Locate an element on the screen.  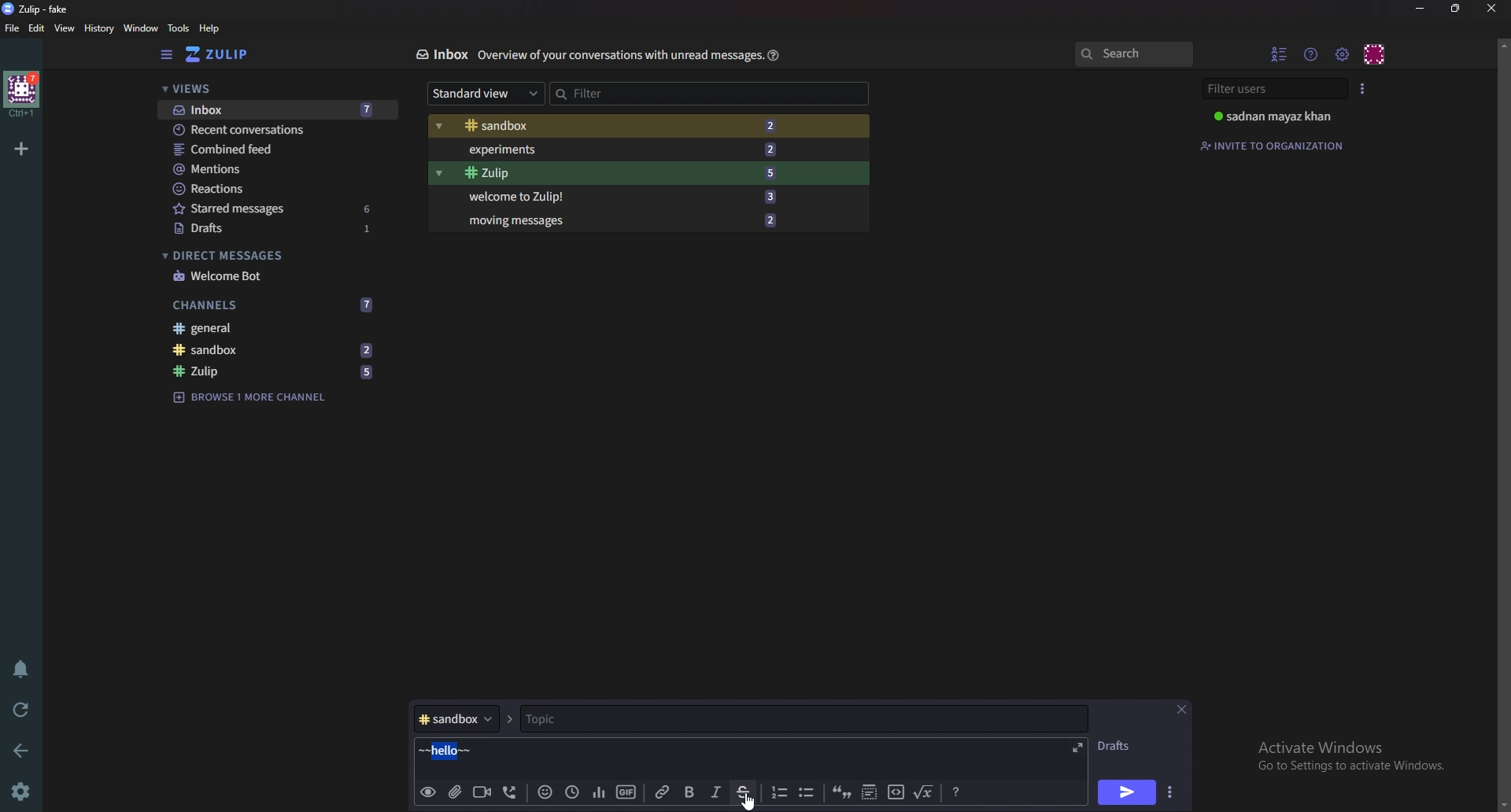
home is located at coordinates (21, 94).